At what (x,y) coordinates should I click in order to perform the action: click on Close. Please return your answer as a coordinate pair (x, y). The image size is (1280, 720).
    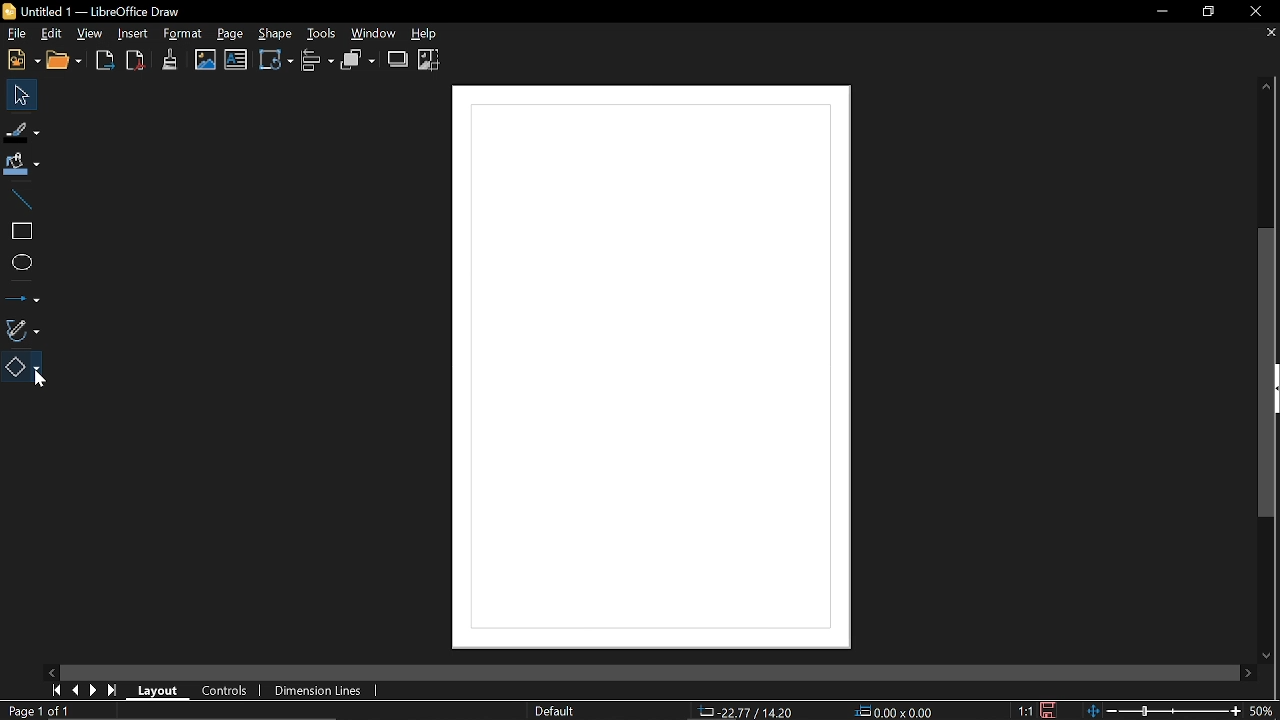
    Looking at the image, I should click on (1254, 13).